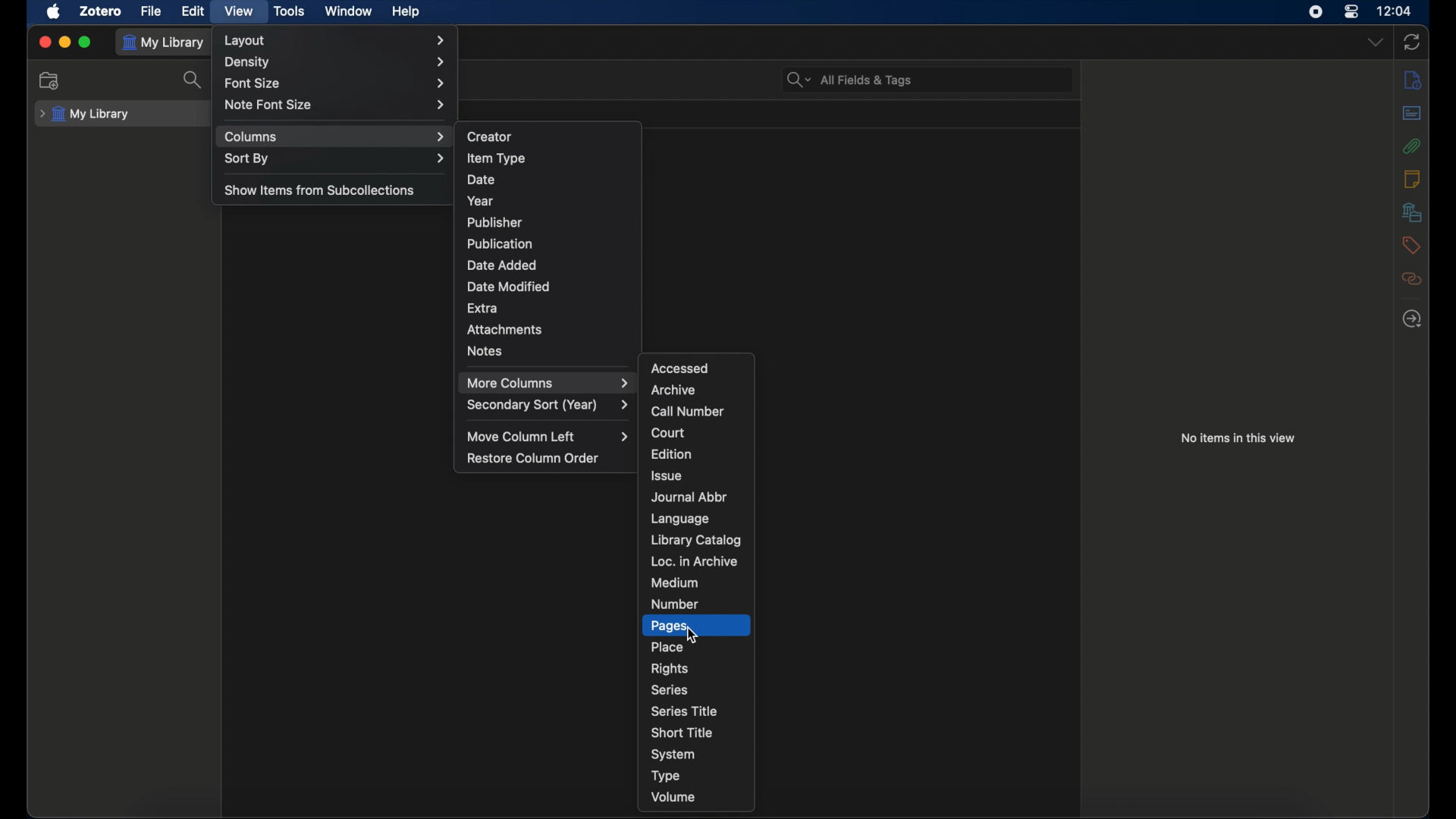 Image resolution: width=1456 pixels, height=819 pixels. Describe the element at coordinates (42, 42) in the screenshot. I see `close` at that location.